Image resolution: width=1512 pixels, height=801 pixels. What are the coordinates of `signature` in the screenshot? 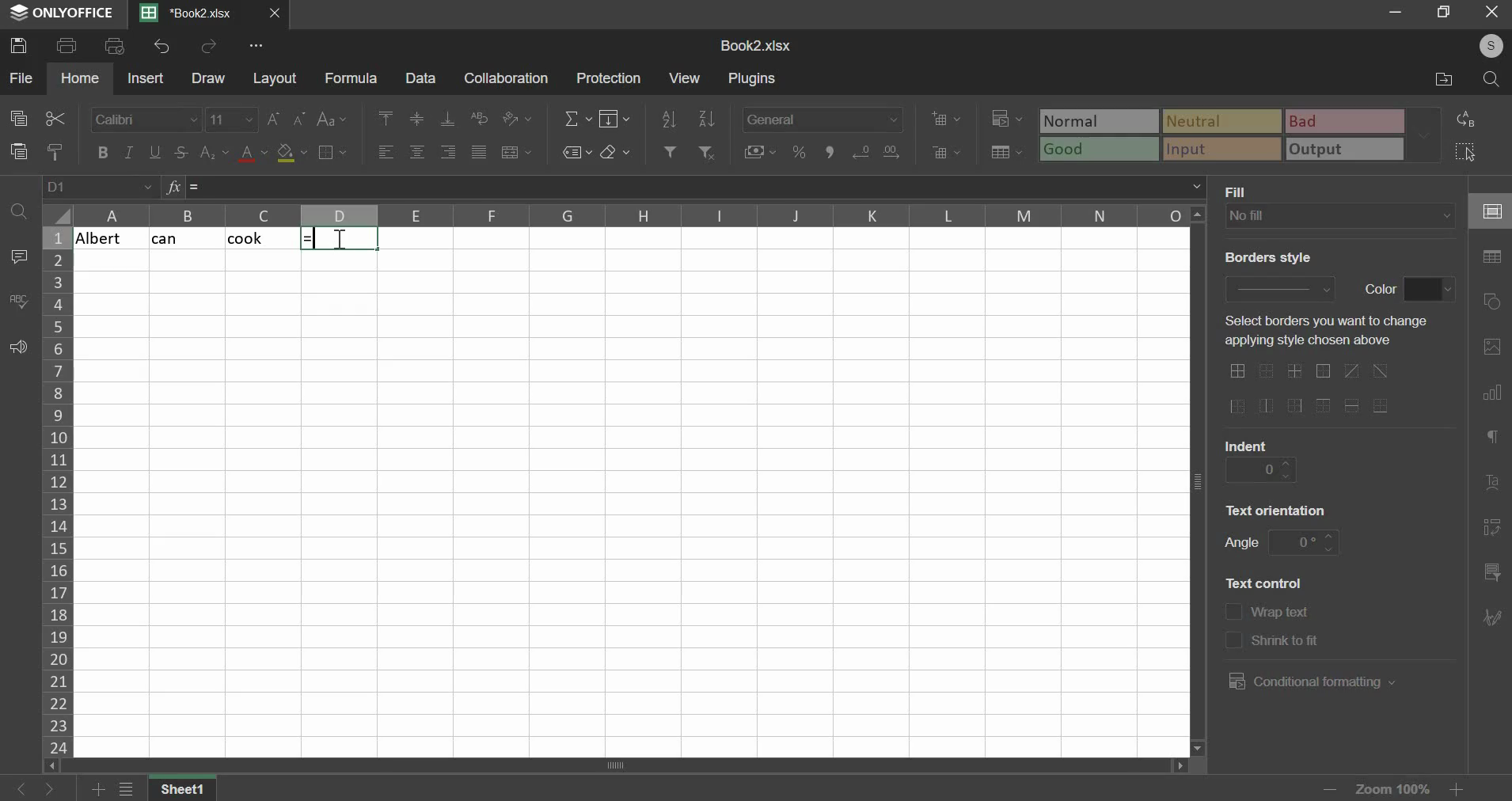 It's located at (1491, 617).